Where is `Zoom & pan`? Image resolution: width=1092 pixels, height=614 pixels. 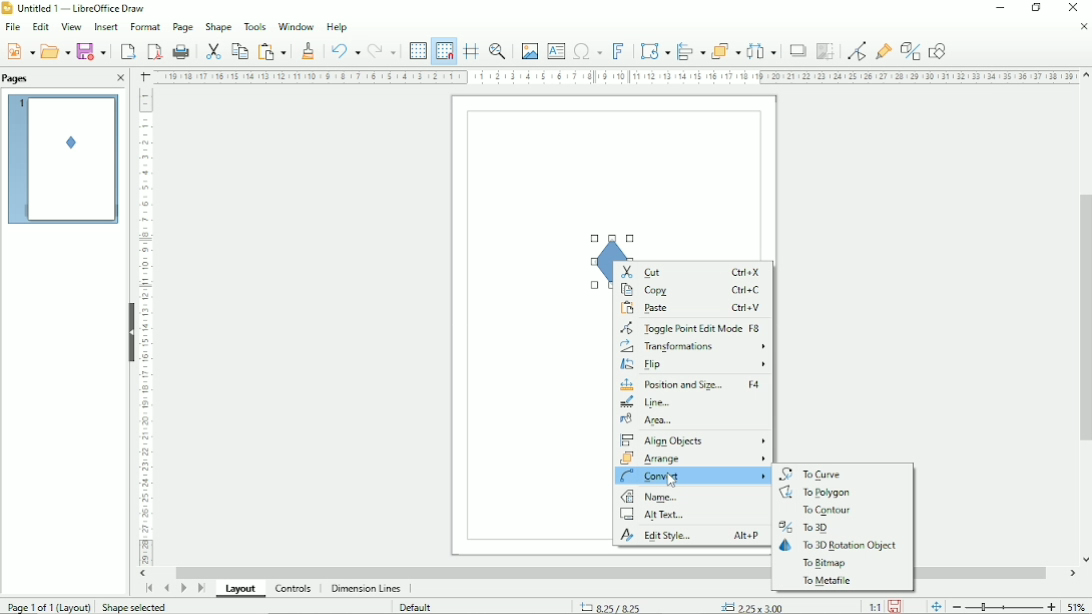 Zoom & pan is located at coordinates (499, 51).